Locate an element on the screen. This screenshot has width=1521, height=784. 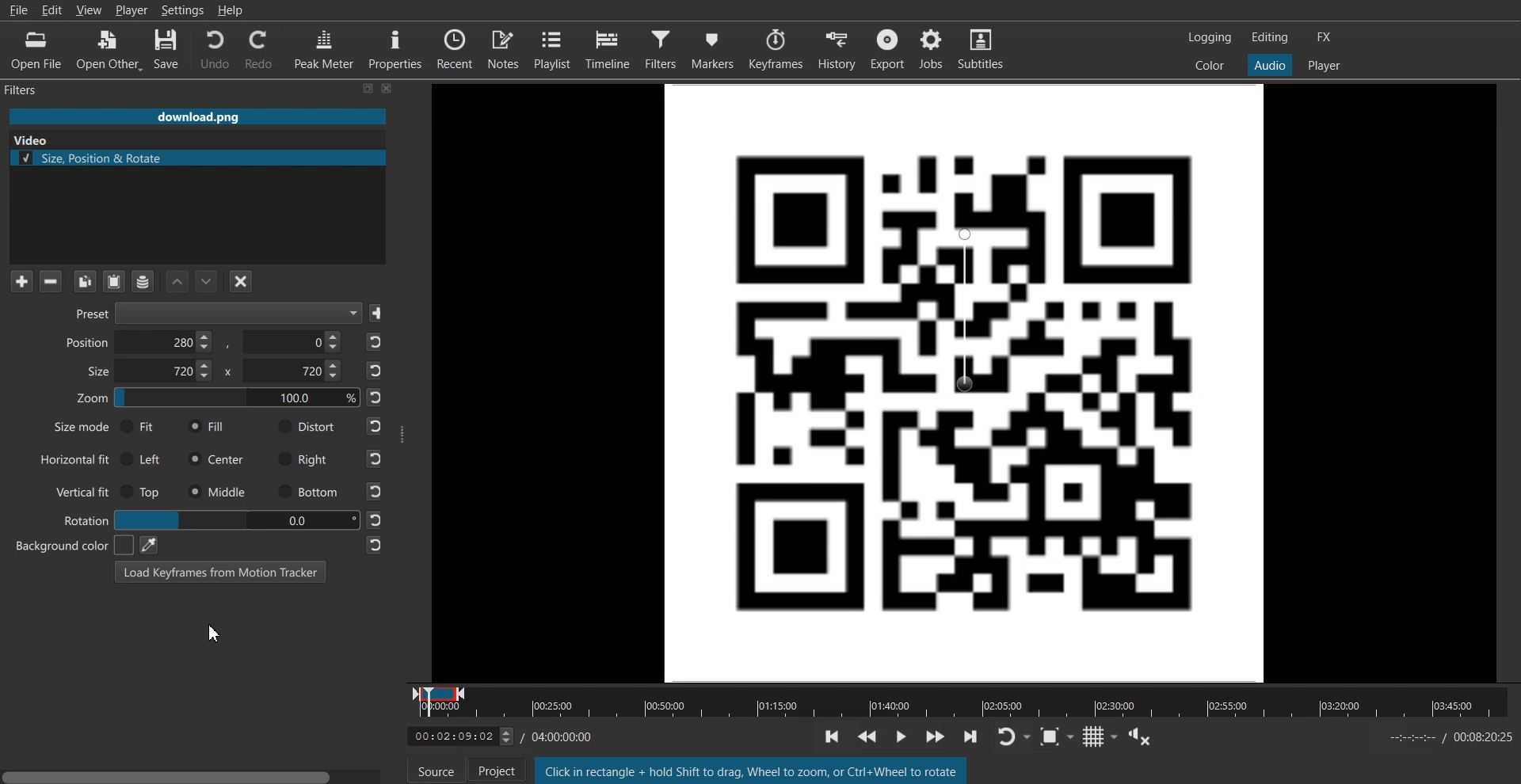
Timeline is located at coordinates (452, 737).